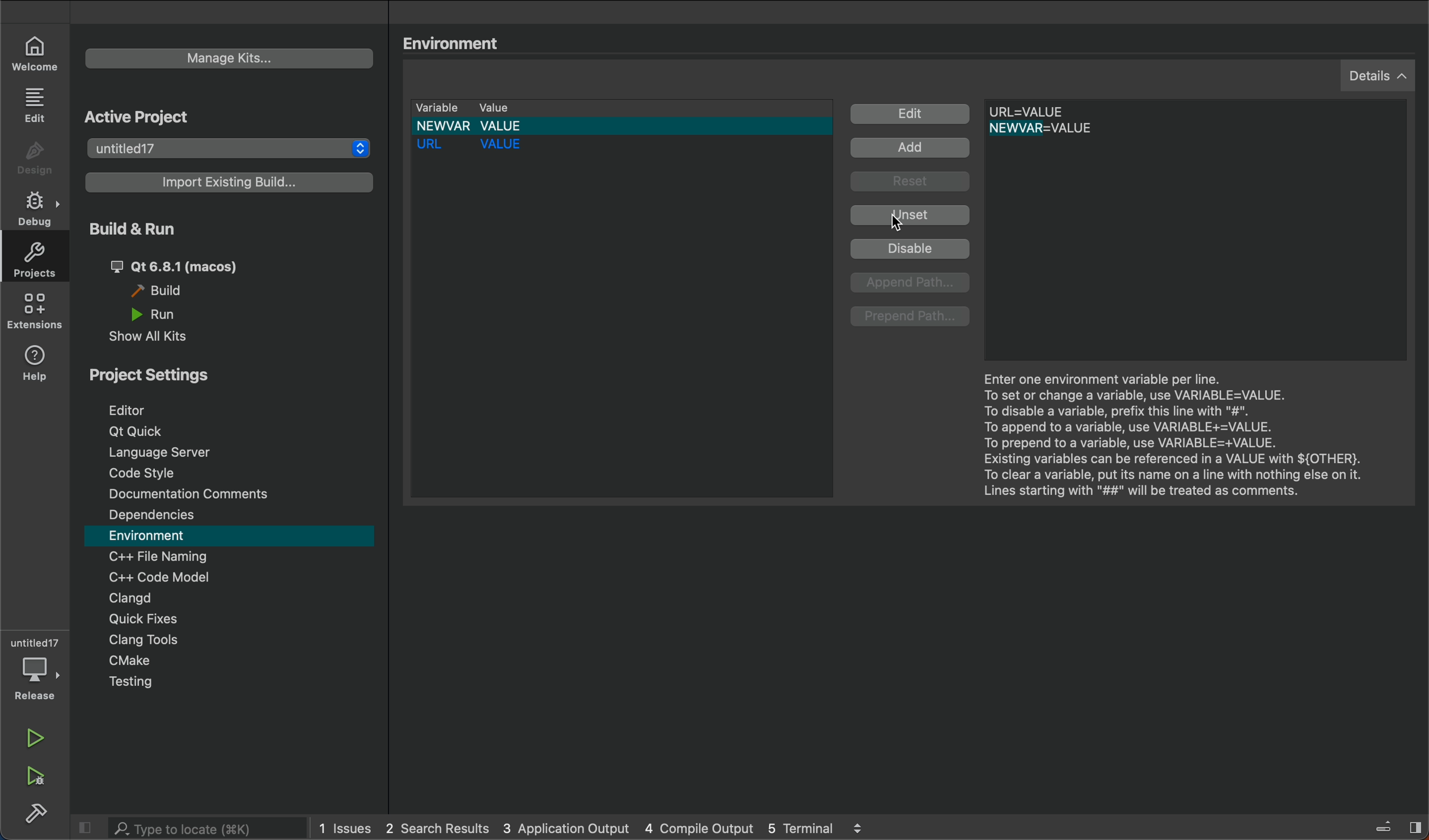 Image resolution: width=1429 pixels, height=840 pixels. I want to click on new variables , so click(1076, 122).